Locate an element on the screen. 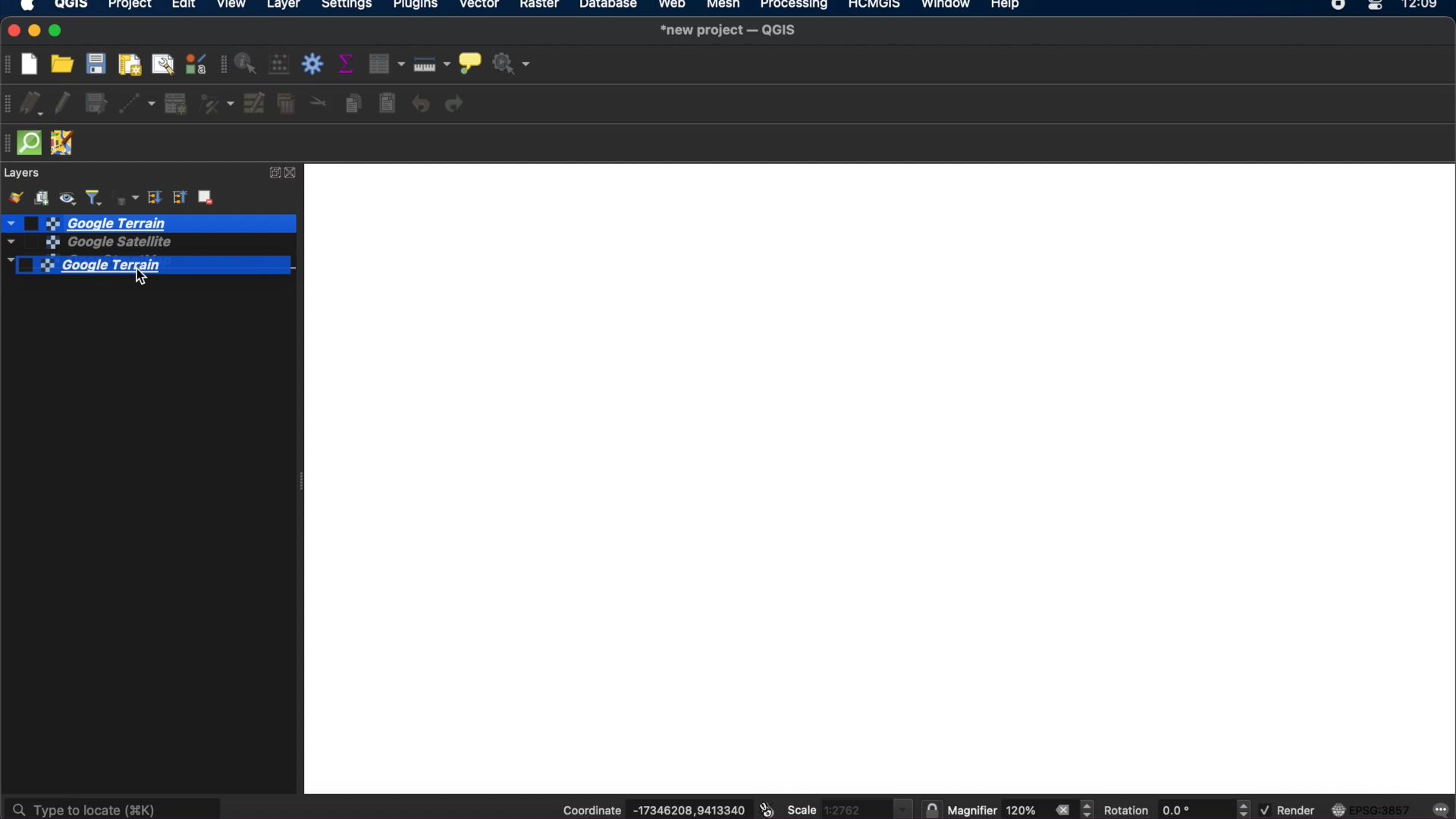  type to locate is located at coordinates (115, 806).